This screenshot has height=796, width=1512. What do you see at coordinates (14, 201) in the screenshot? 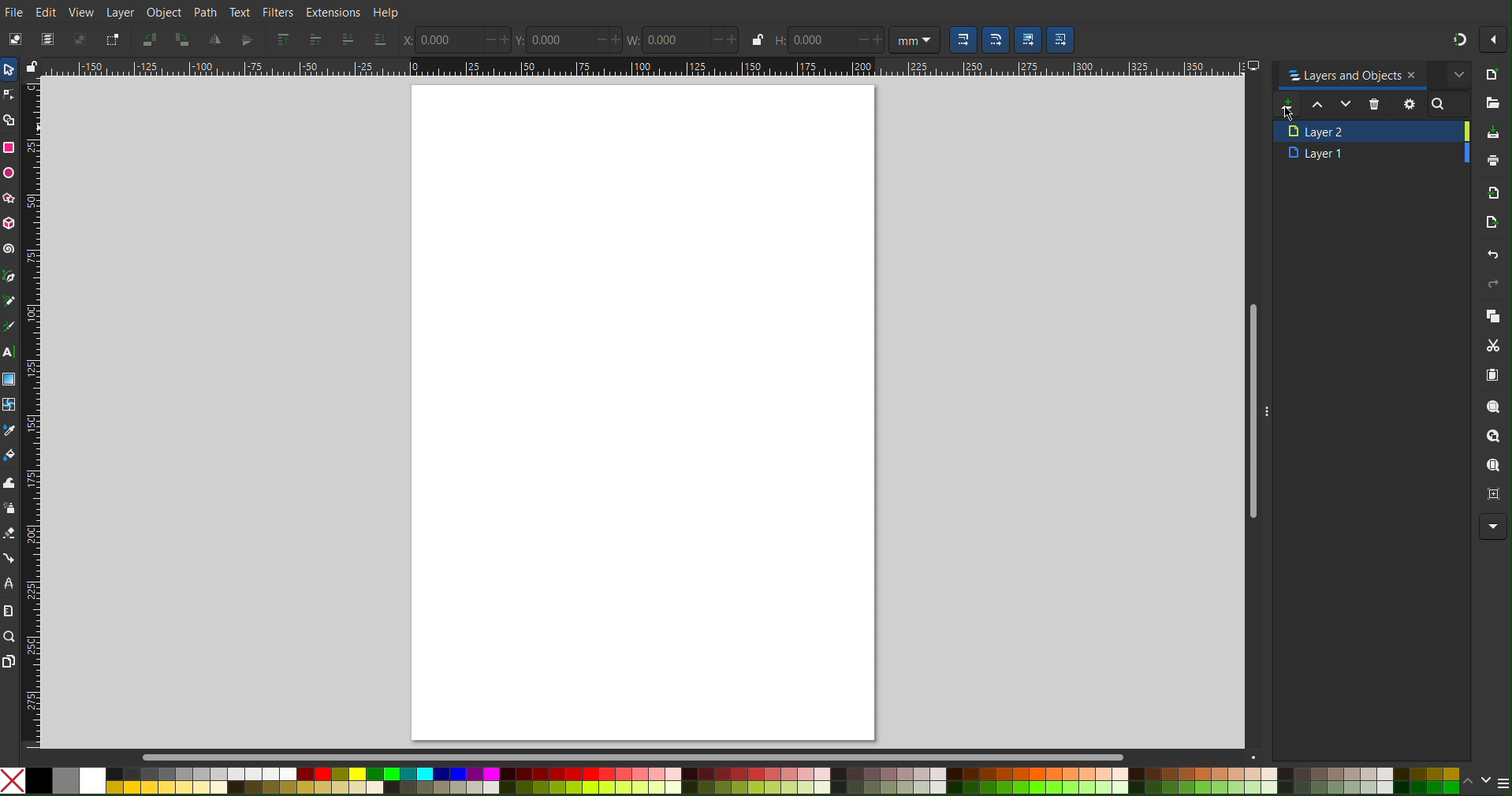
I see `Polygon` at bounding box center [14, 201].